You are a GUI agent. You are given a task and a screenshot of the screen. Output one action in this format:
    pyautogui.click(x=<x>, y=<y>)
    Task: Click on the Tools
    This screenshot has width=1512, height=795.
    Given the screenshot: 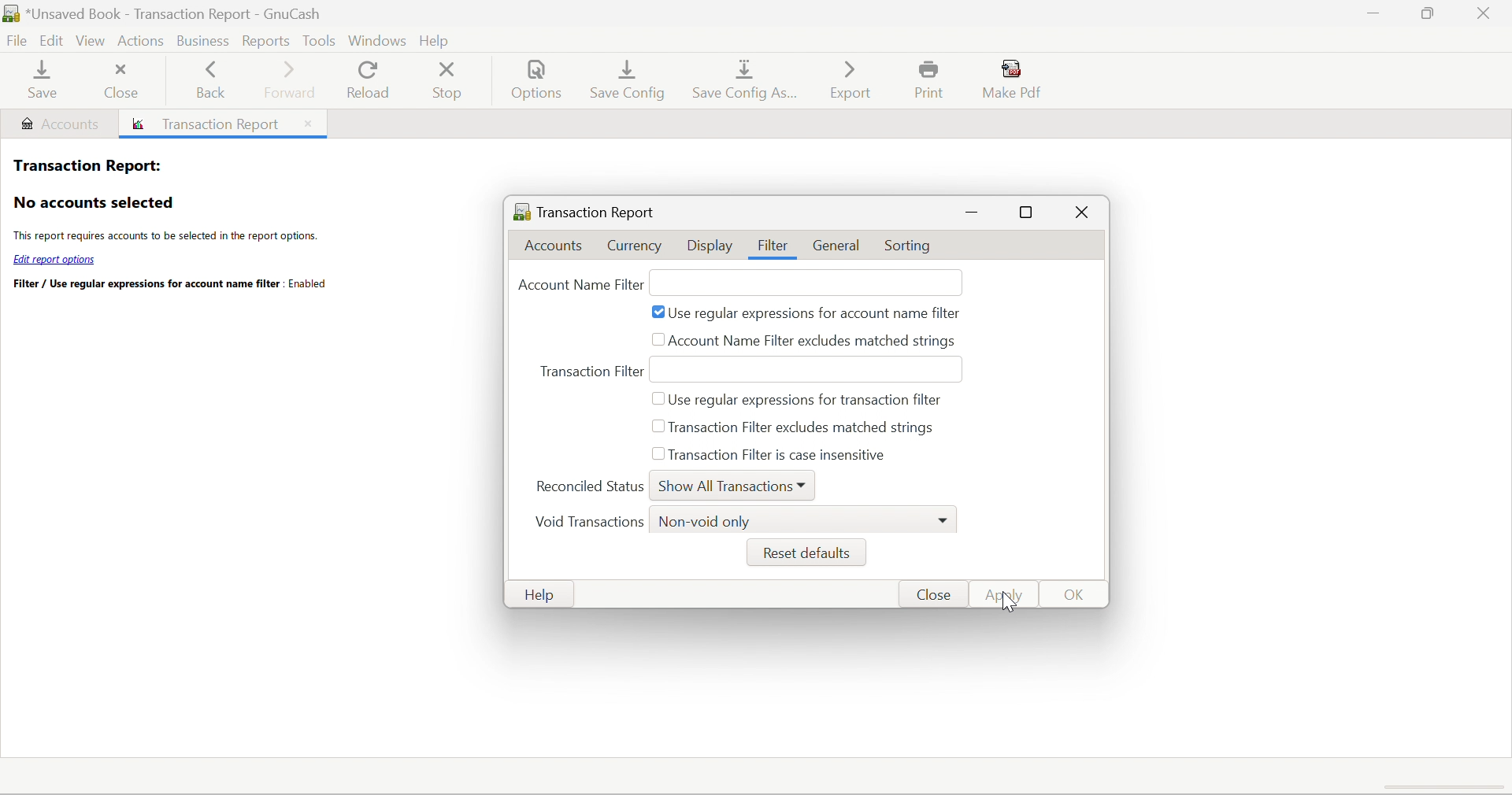 What is the action you would take?
    pyautogui.click(x=318, y=39)
    